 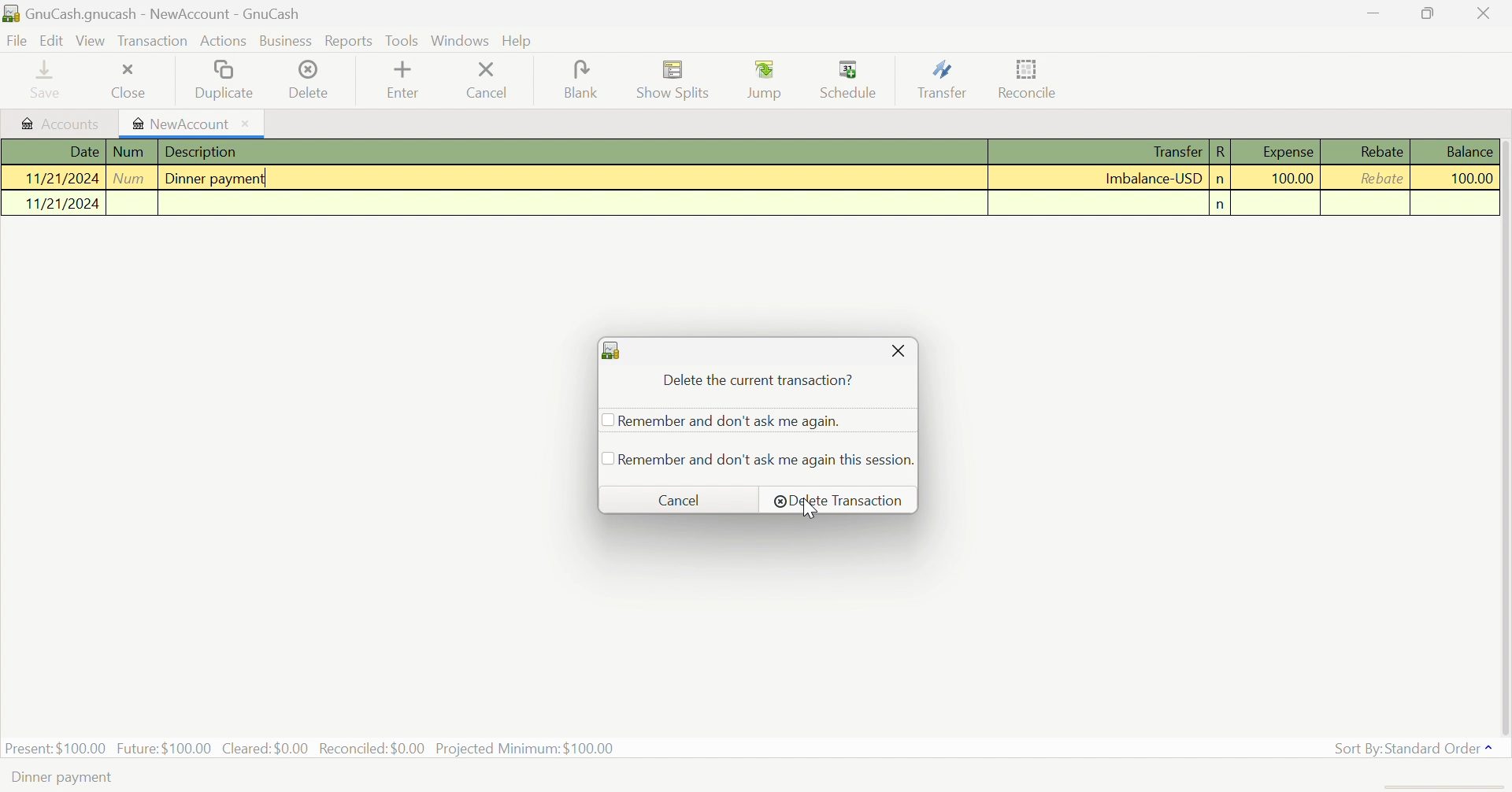 What do you see at coordinates (214, 180) in the screenshot?
I see `Dinner Payment` at bounding box center [214, 180].